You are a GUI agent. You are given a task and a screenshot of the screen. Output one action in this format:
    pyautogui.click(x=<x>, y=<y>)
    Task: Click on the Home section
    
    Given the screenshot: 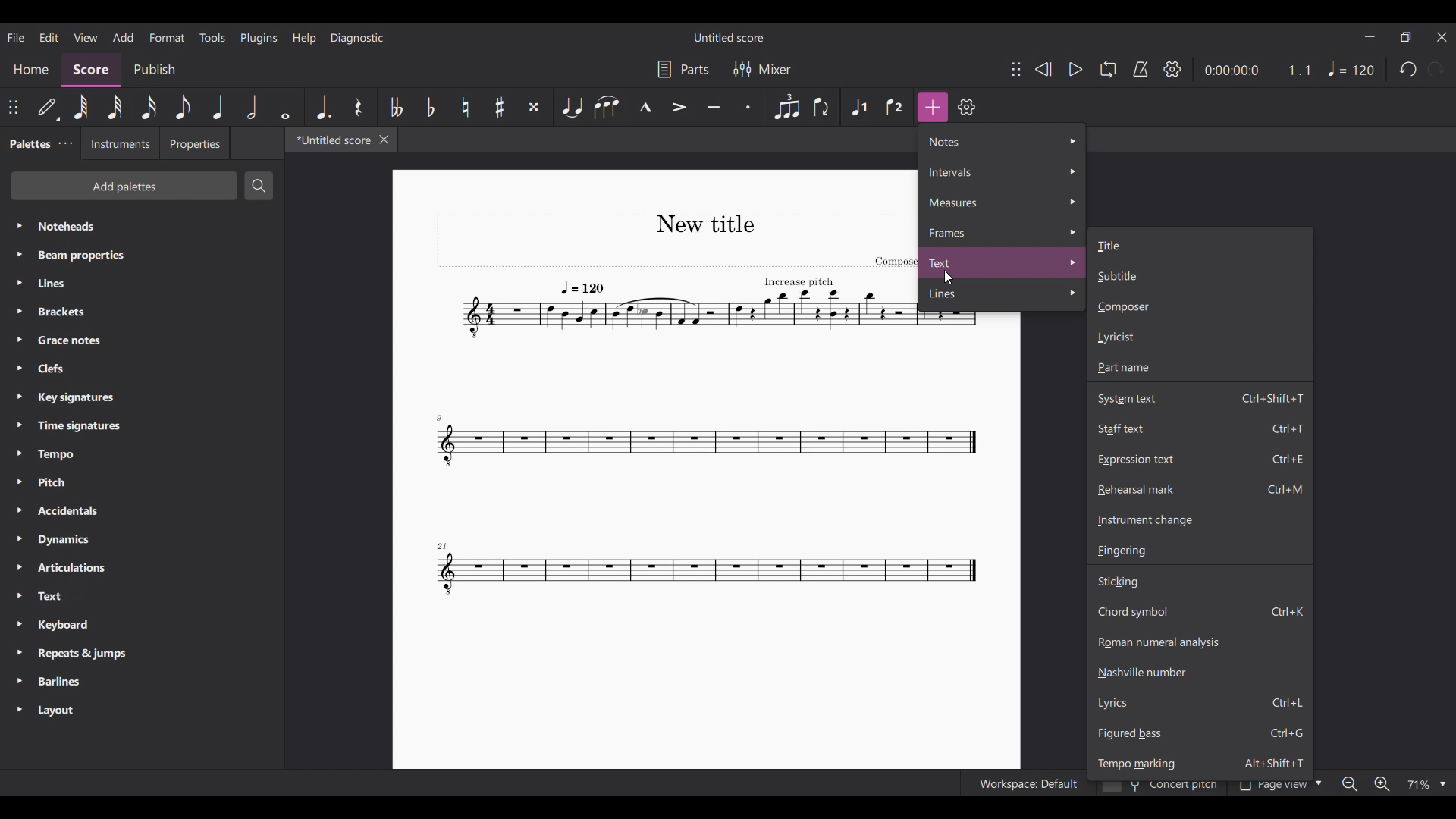 What is the action you would take?
    pyautogui.click(x=30, y=70)
    